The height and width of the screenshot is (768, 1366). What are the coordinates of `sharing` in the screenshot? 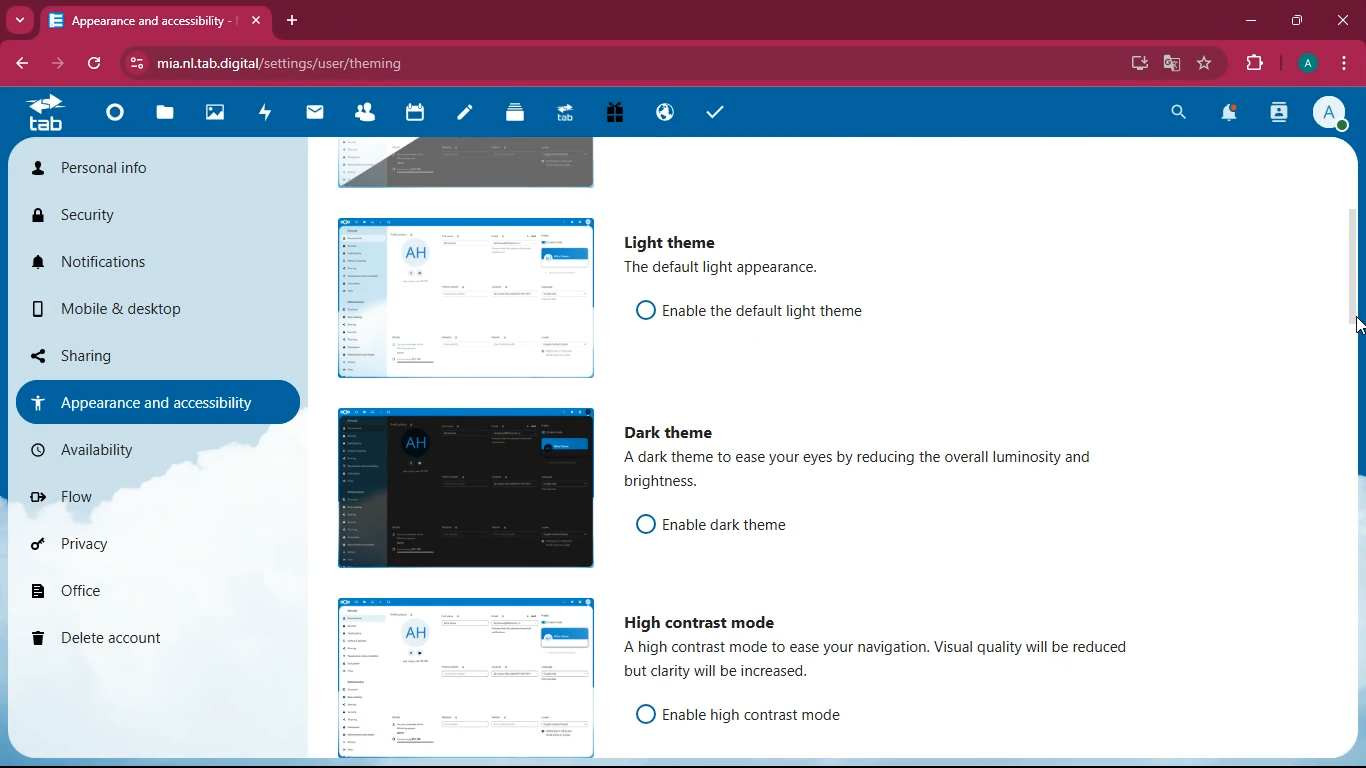 It's located at (122, 355).